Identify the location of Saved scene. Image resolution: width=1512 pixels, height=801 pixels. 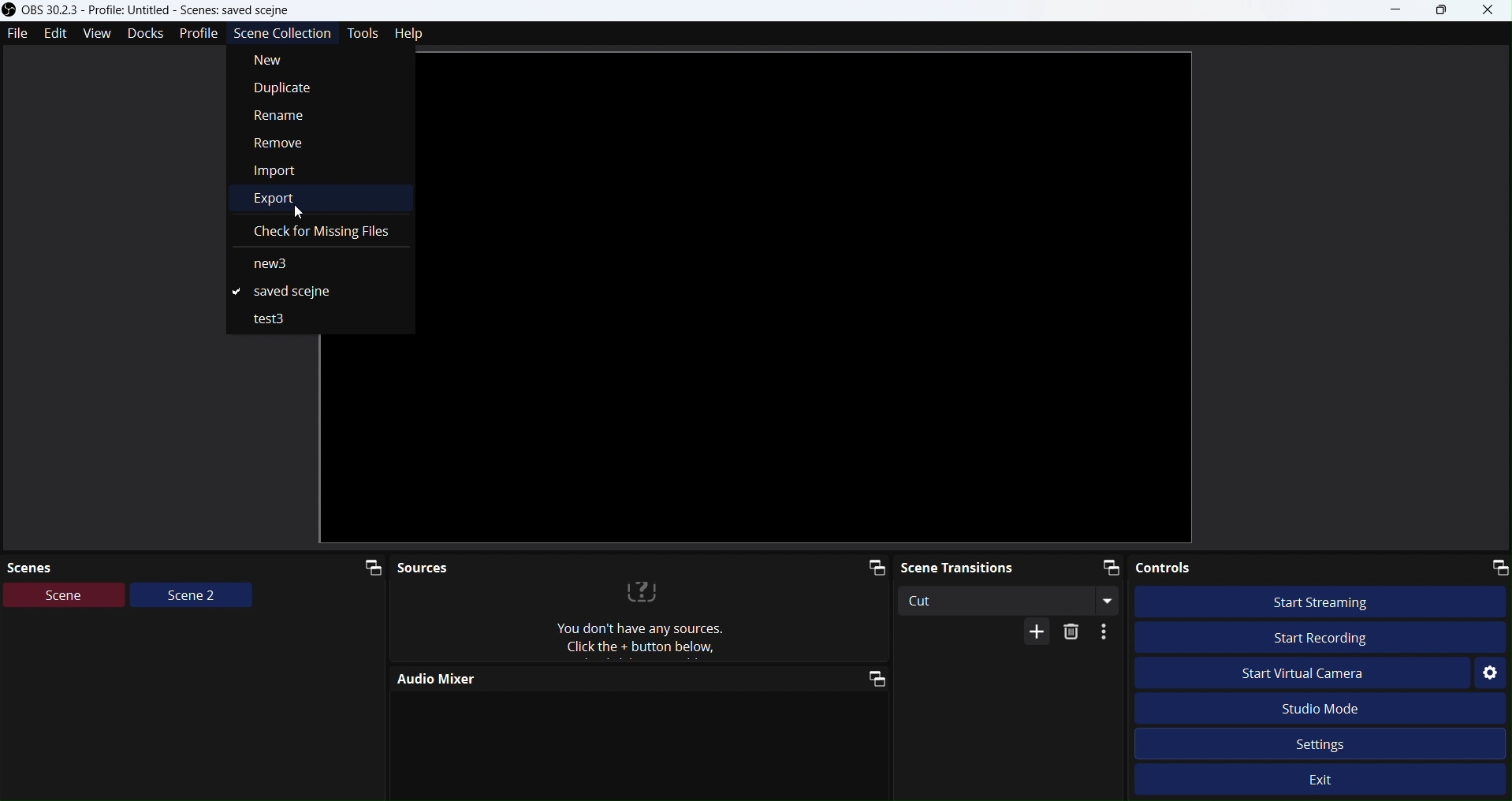
(279, 295).